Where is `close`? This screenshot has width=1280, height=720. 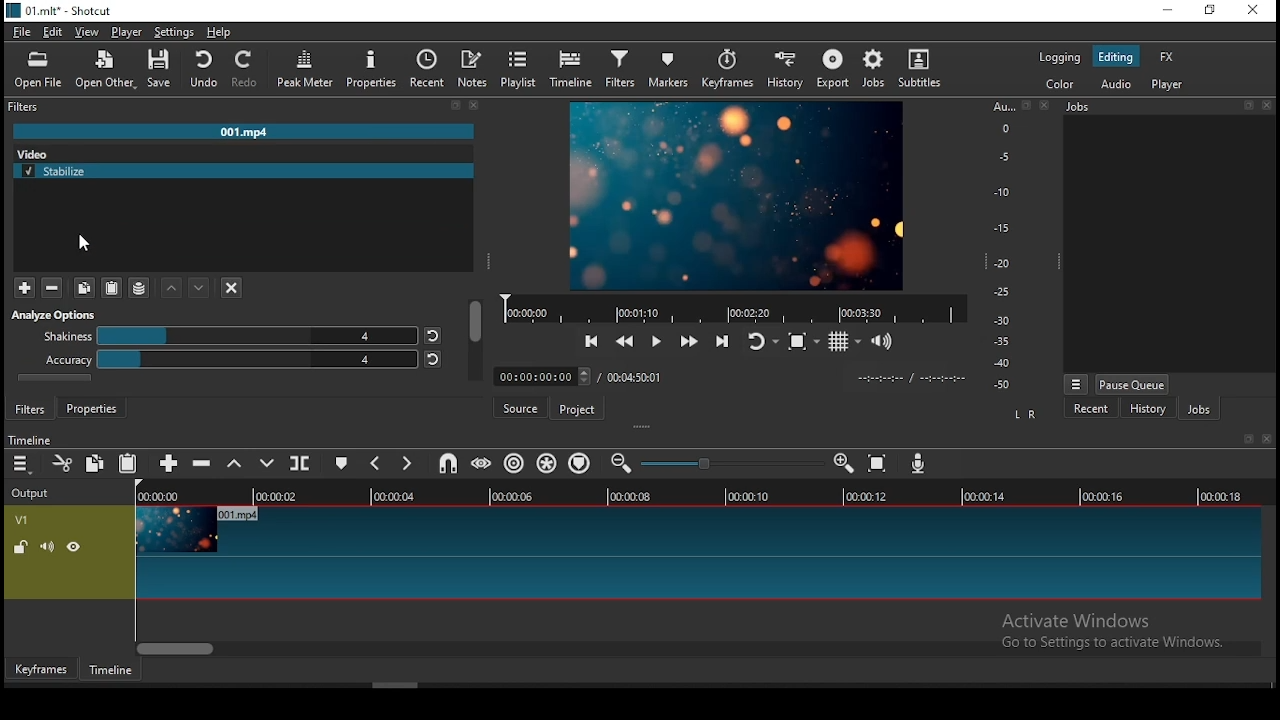
close is located at coordinates (1269, 440).